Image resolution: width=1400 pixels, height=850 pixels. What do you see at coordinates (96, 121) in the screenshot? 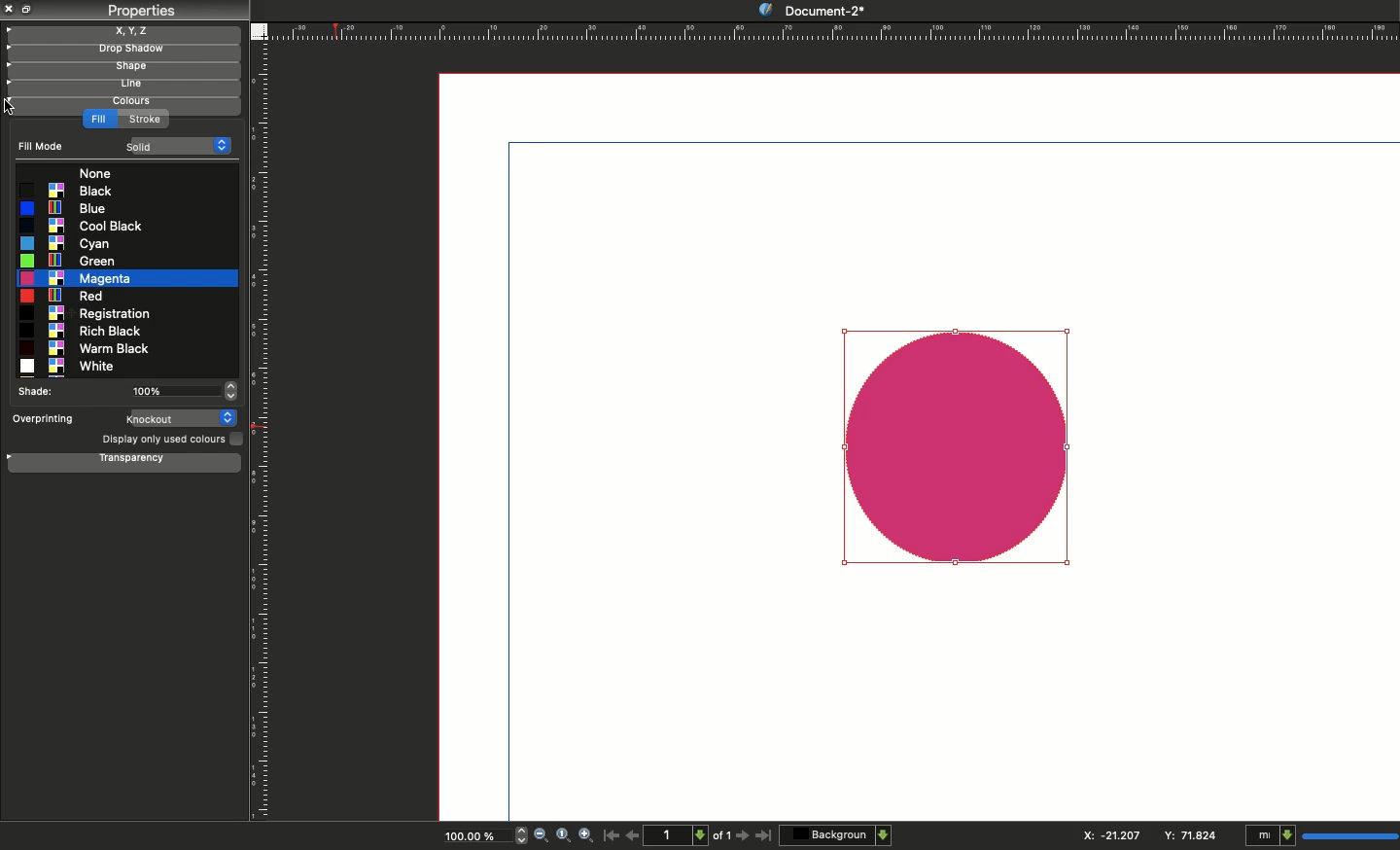
I see `Fill` at bounding box center [96, 121].